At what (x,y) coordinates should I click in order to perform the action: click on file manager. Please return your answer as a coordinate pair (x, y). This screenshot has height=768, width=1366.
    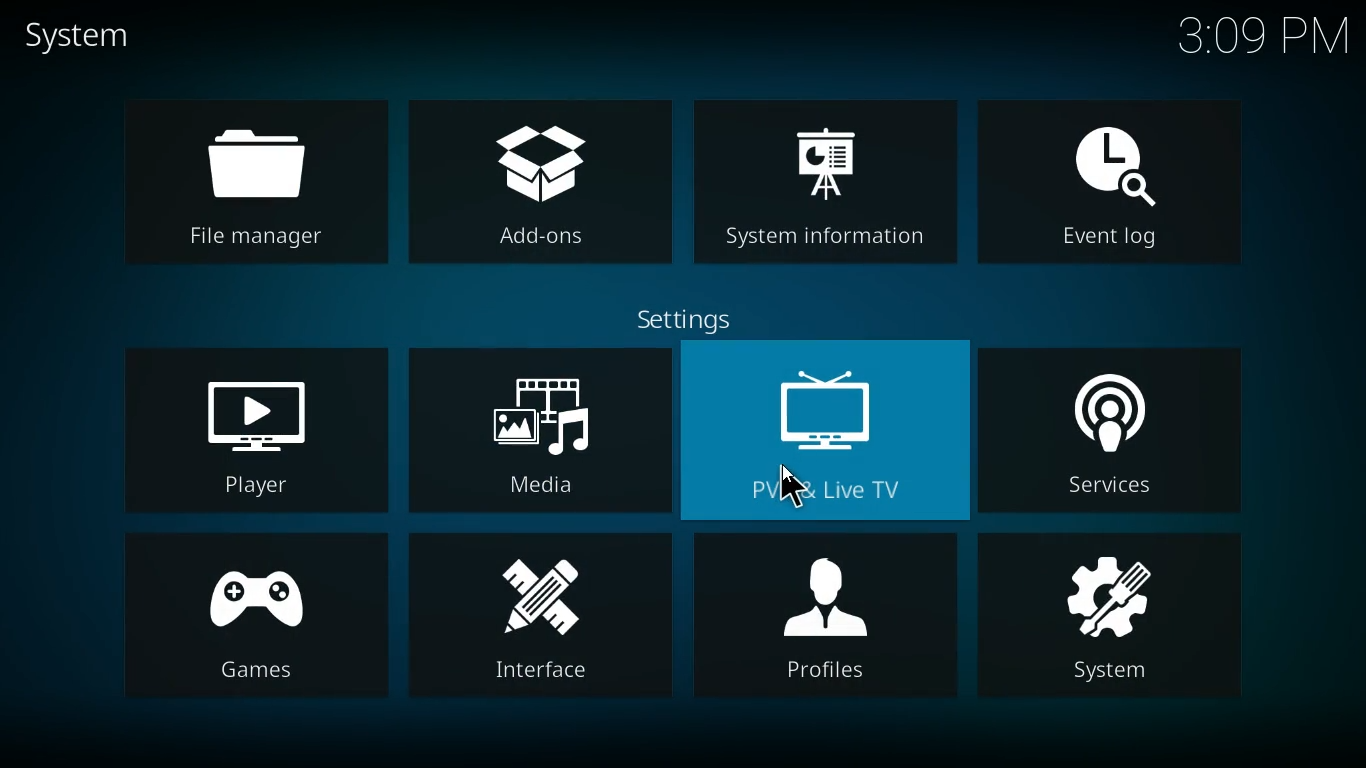
    Looking at the image, I should click on (248, 182).